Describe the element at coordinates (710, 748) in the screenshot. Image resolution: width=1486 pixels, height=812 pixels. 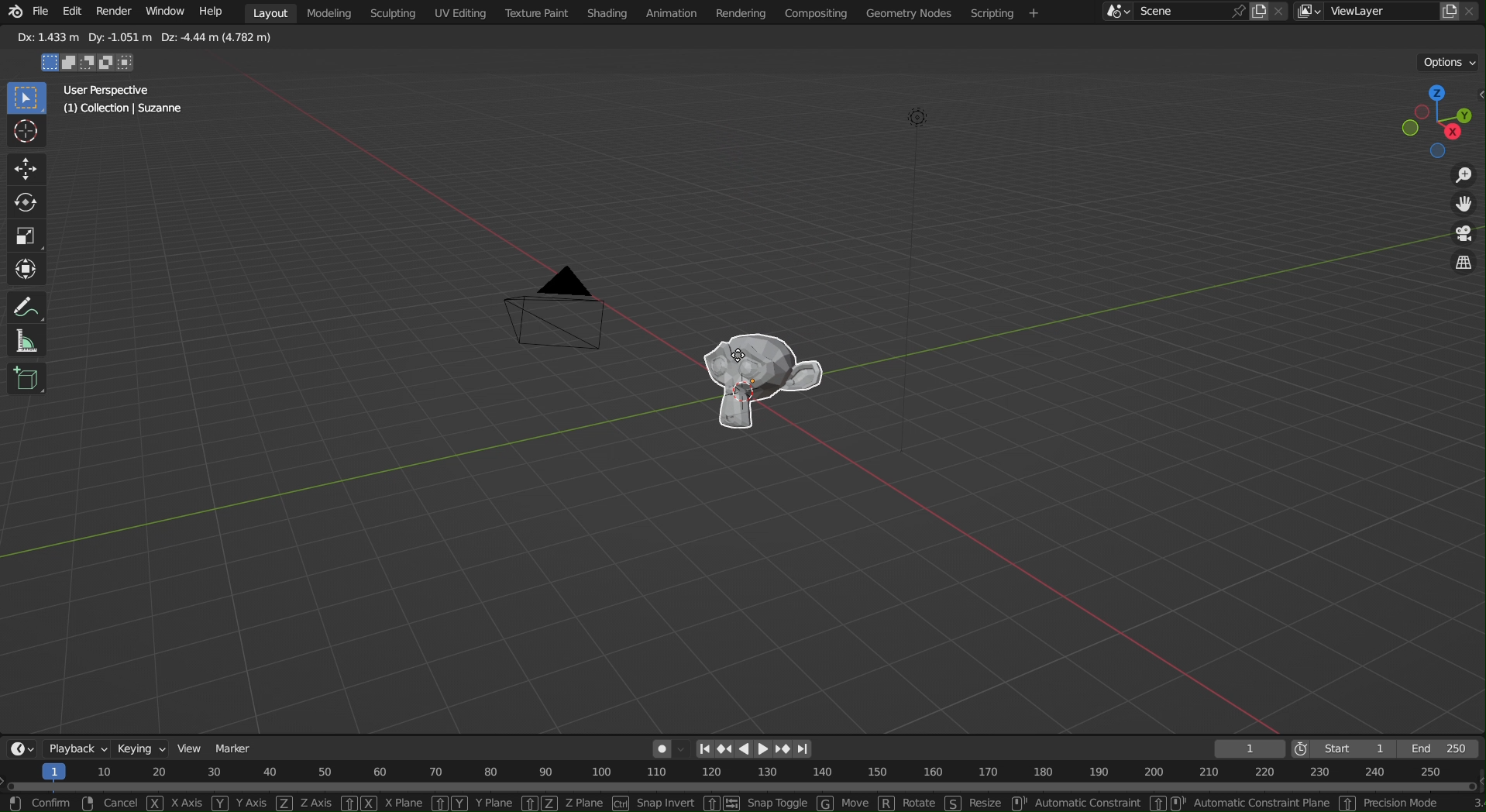
I see `first` at that location.